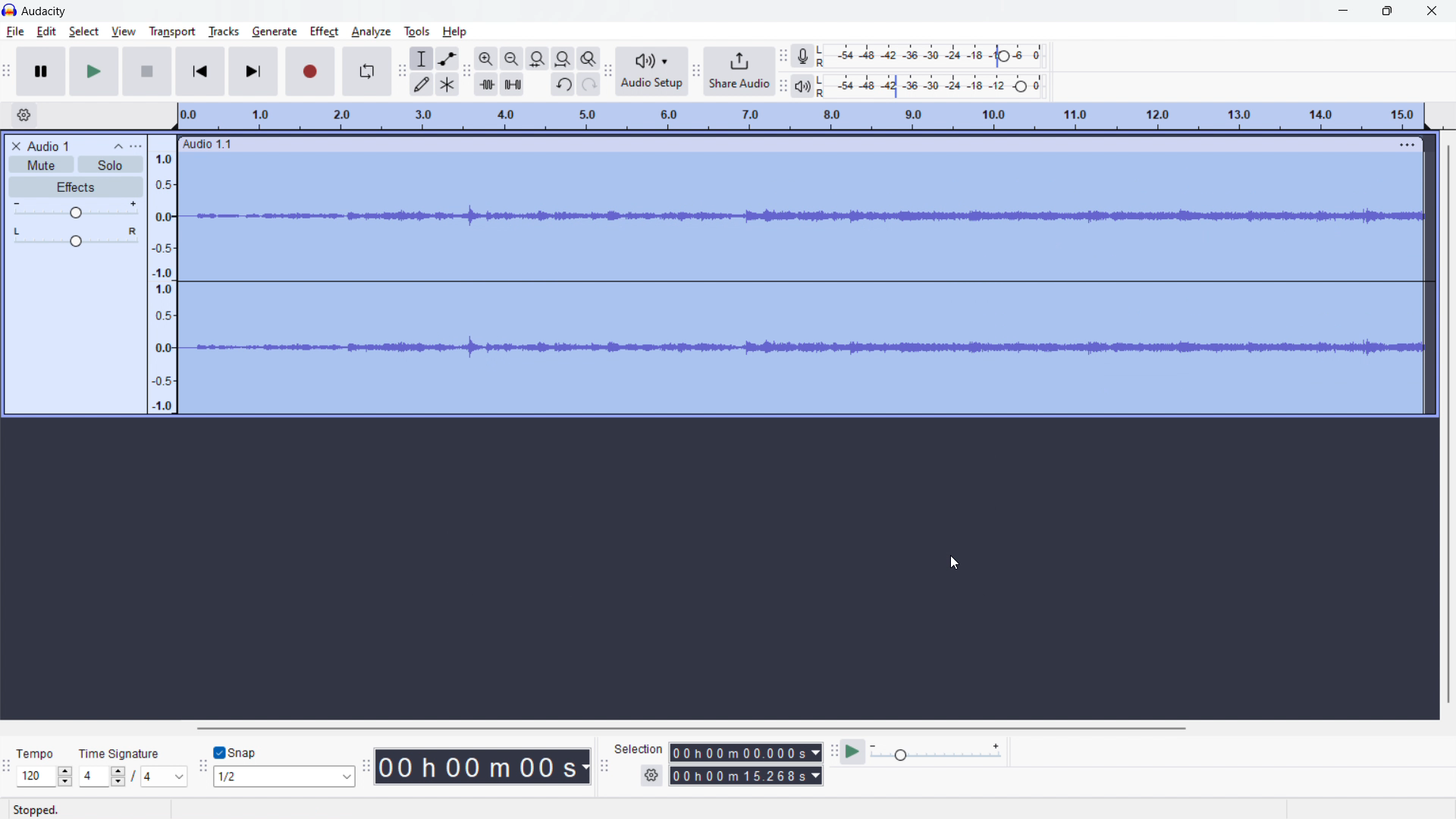 The image size is (1456, 819). What do you see at coordinates (48, 146) in the screenshot?
I see `project title` at bounding box center [48, 146].